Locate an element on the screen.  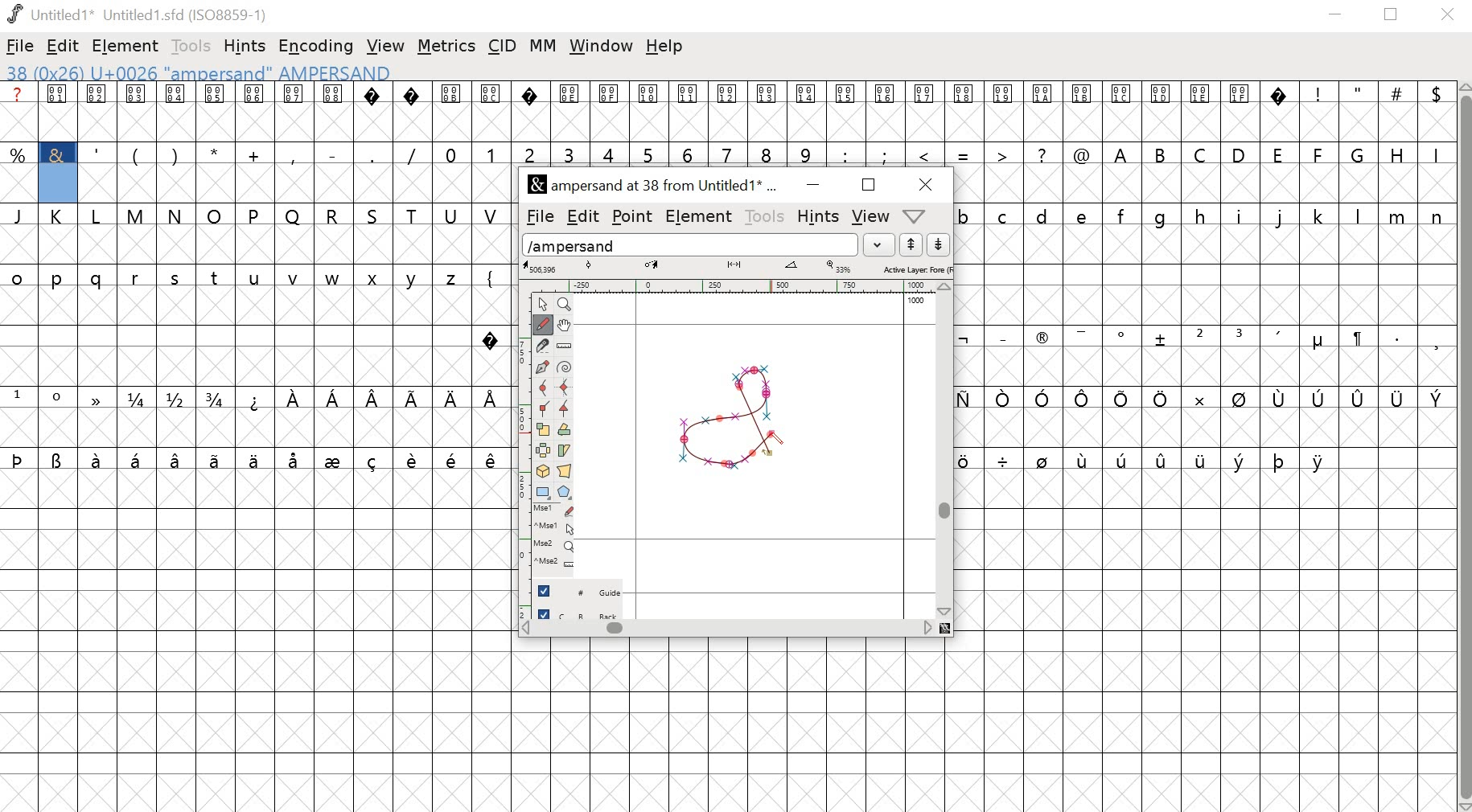
1/4 is located at coordinates (139, 400).